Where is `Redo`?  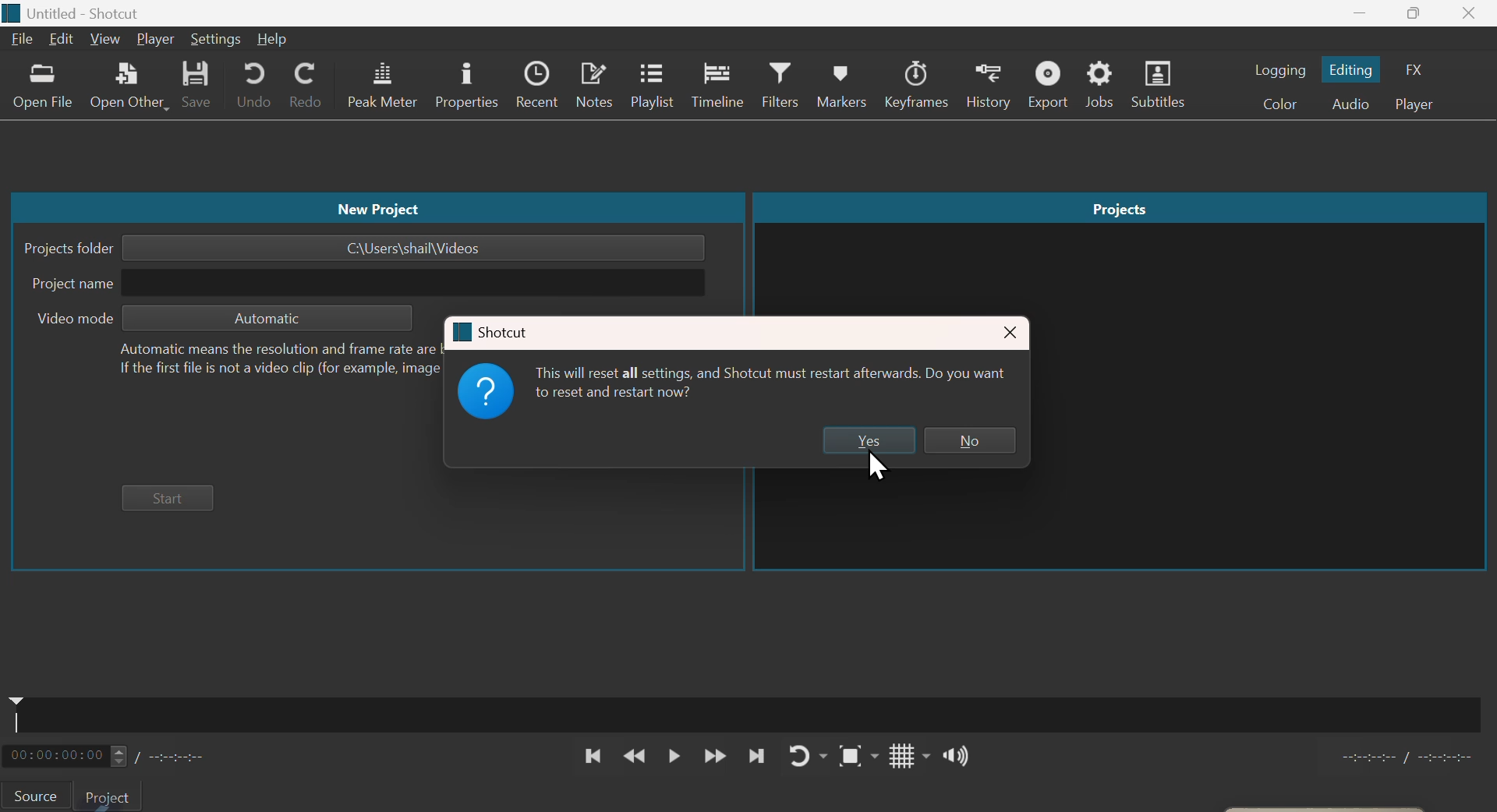
Redo is located at coordinates (310, 87).